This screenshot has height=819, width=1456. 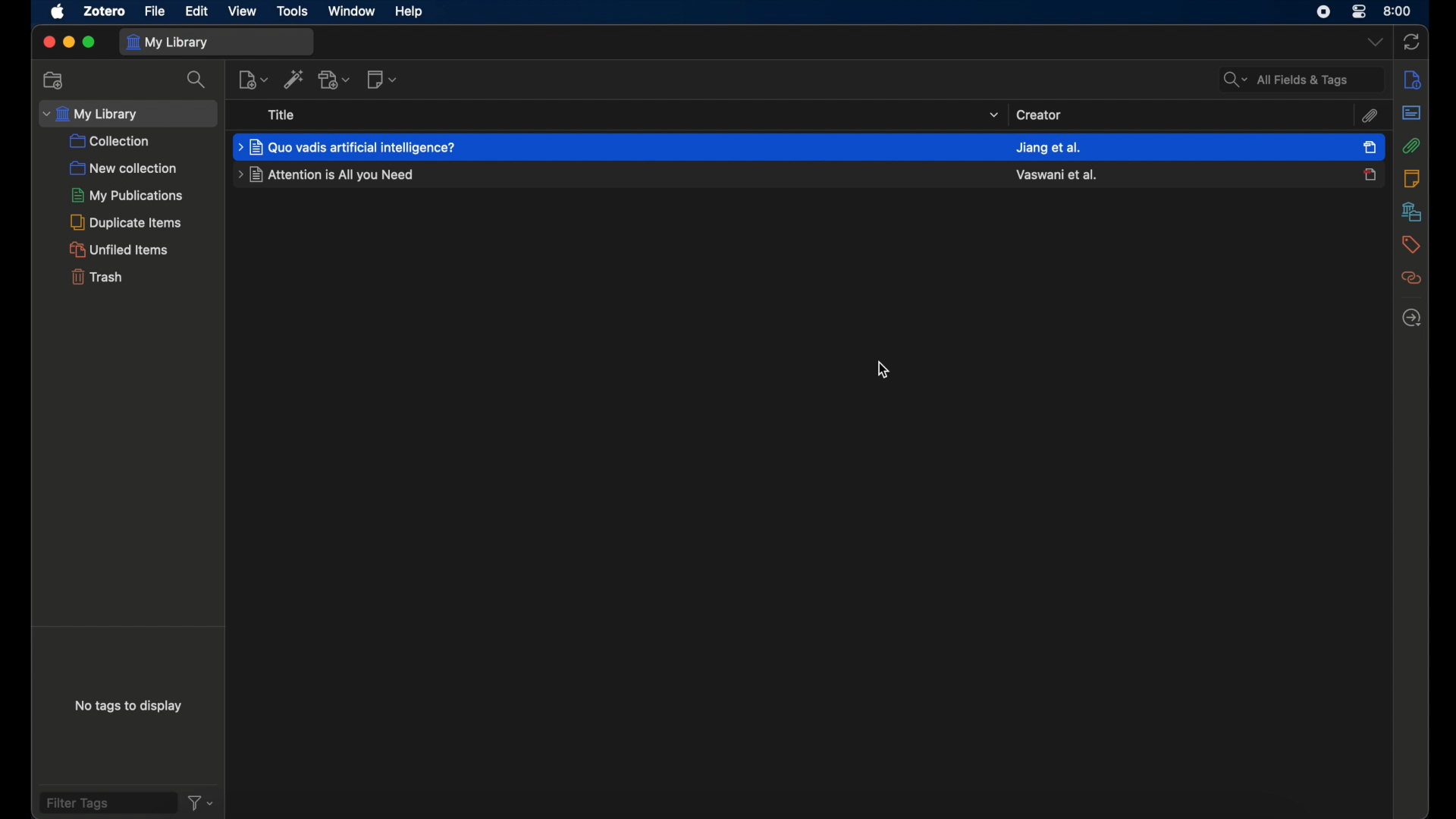 I want to click on title, so click(x=282, y=115).